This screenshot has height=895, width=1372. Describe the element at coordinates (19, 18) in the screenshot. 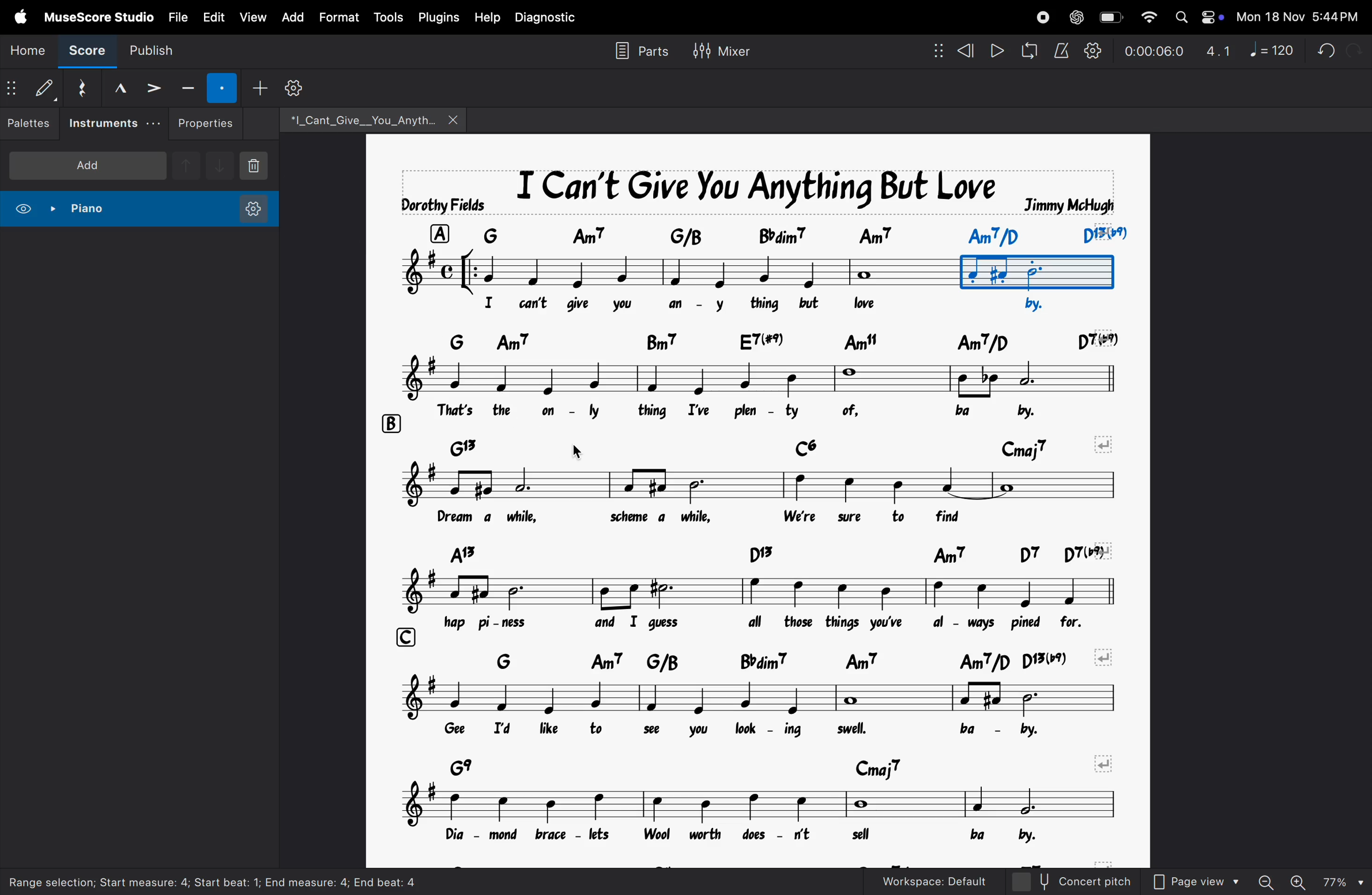

I see `apple menu` at that location.